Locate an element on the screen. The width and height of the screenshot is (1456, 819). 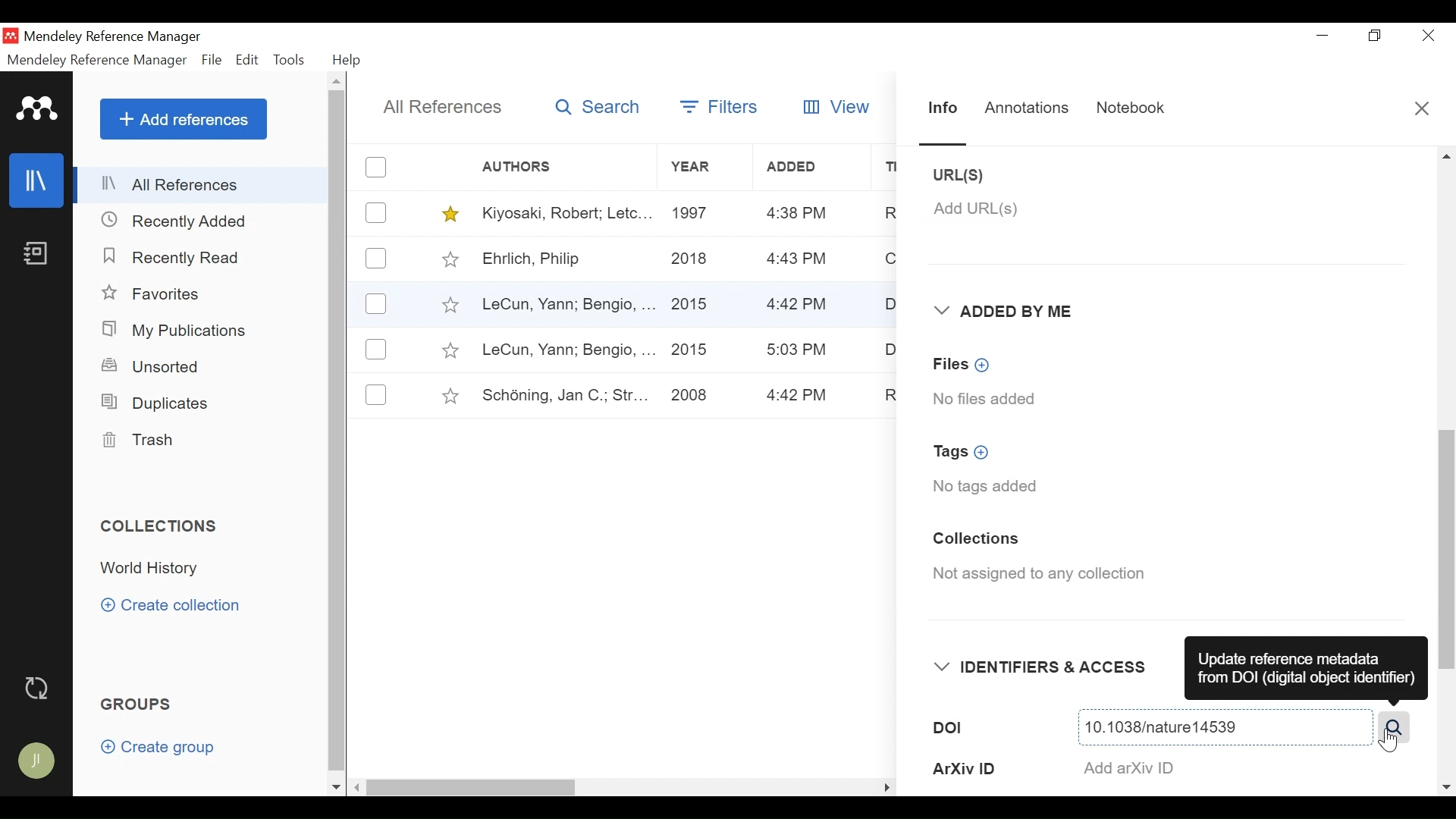
ArXiv ID is located at coordinates (992, 768).